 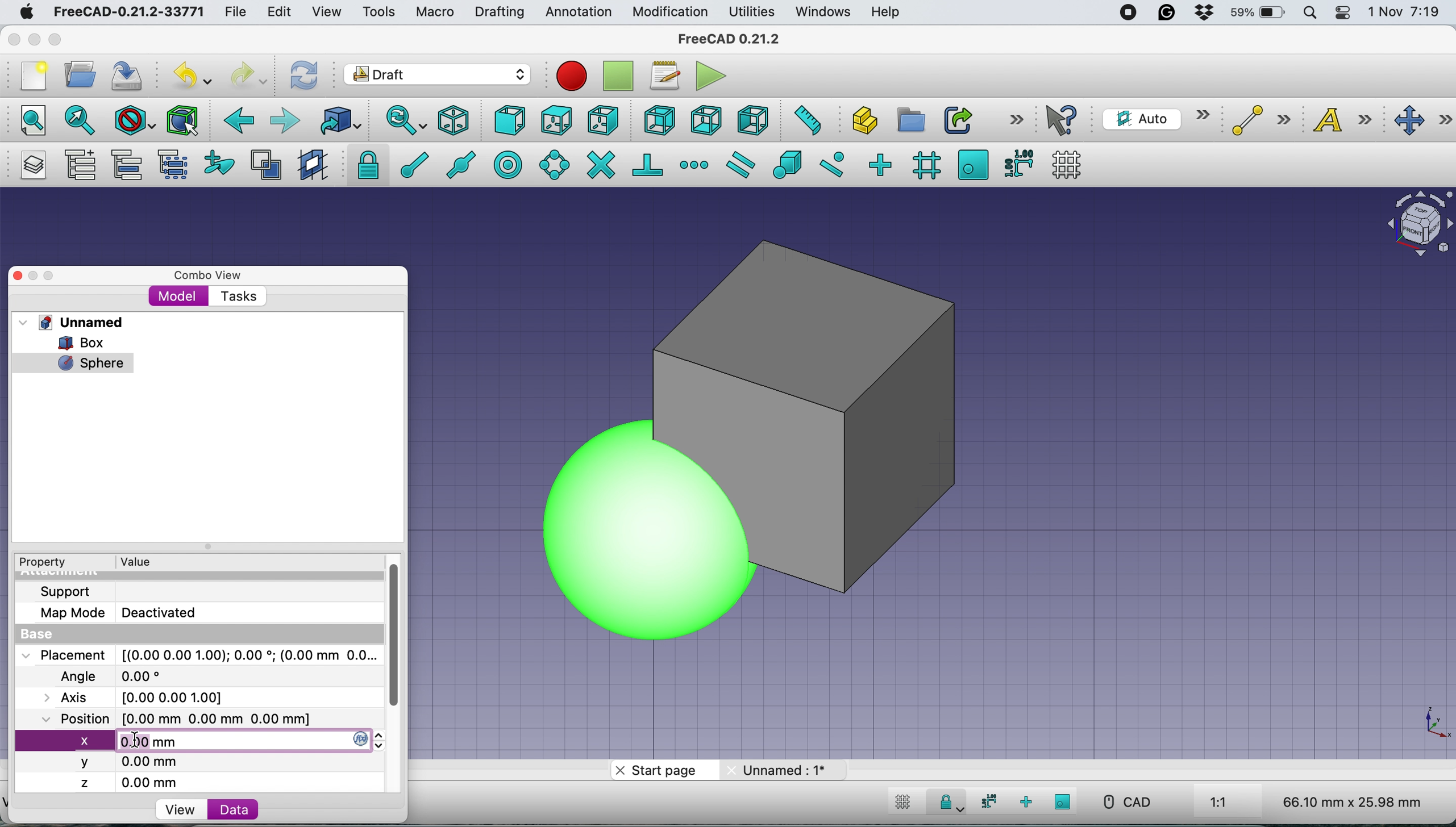 What do you see at coordinates (738, 39) in the screenshot?
I see `freecad` at bounding box center [738, 39].